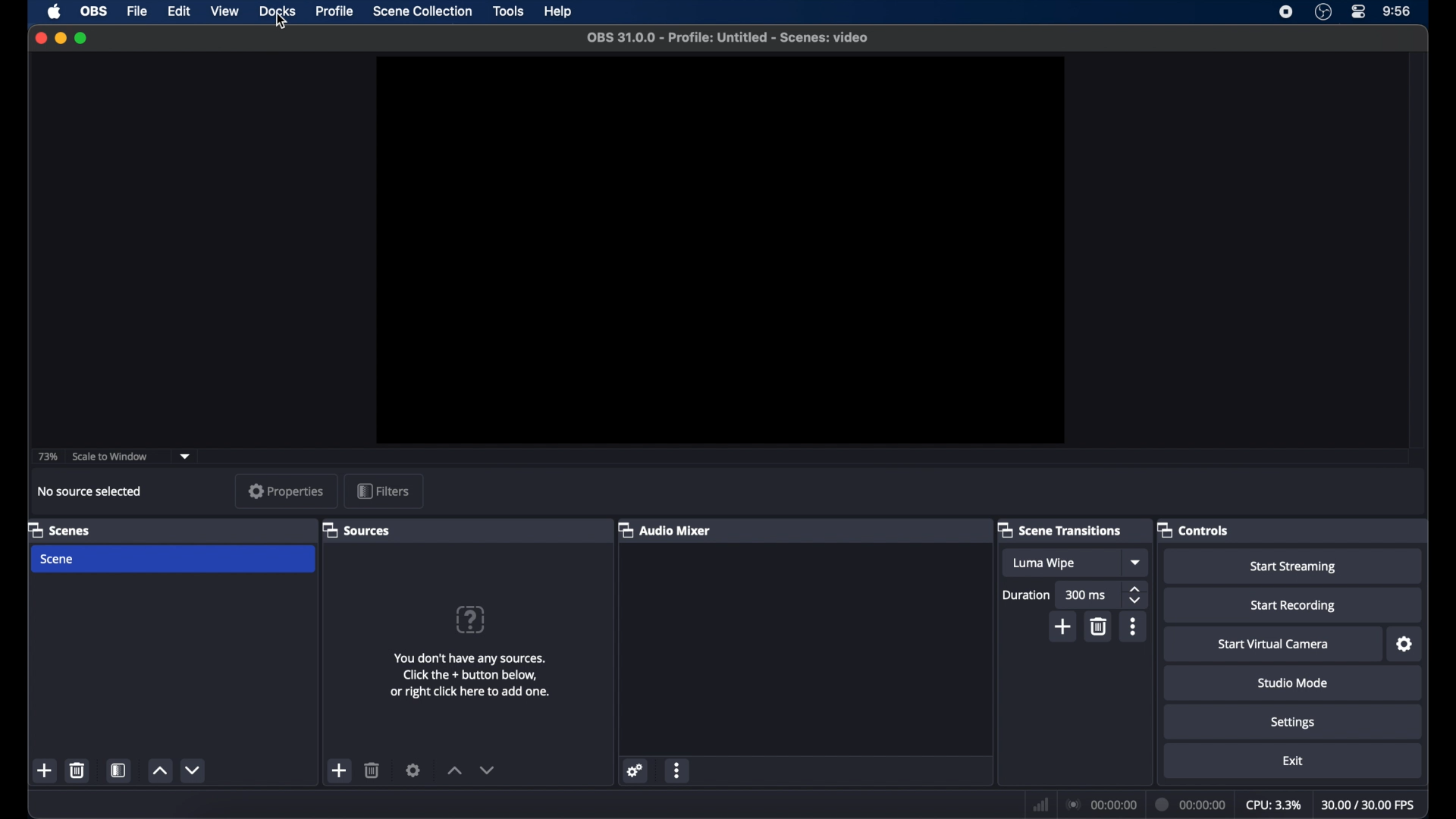 The image size is (1456, 819). What do you see at coordinates (60, 38) in the screenshot?
I see `minimize` at bounding box center [60, 38].